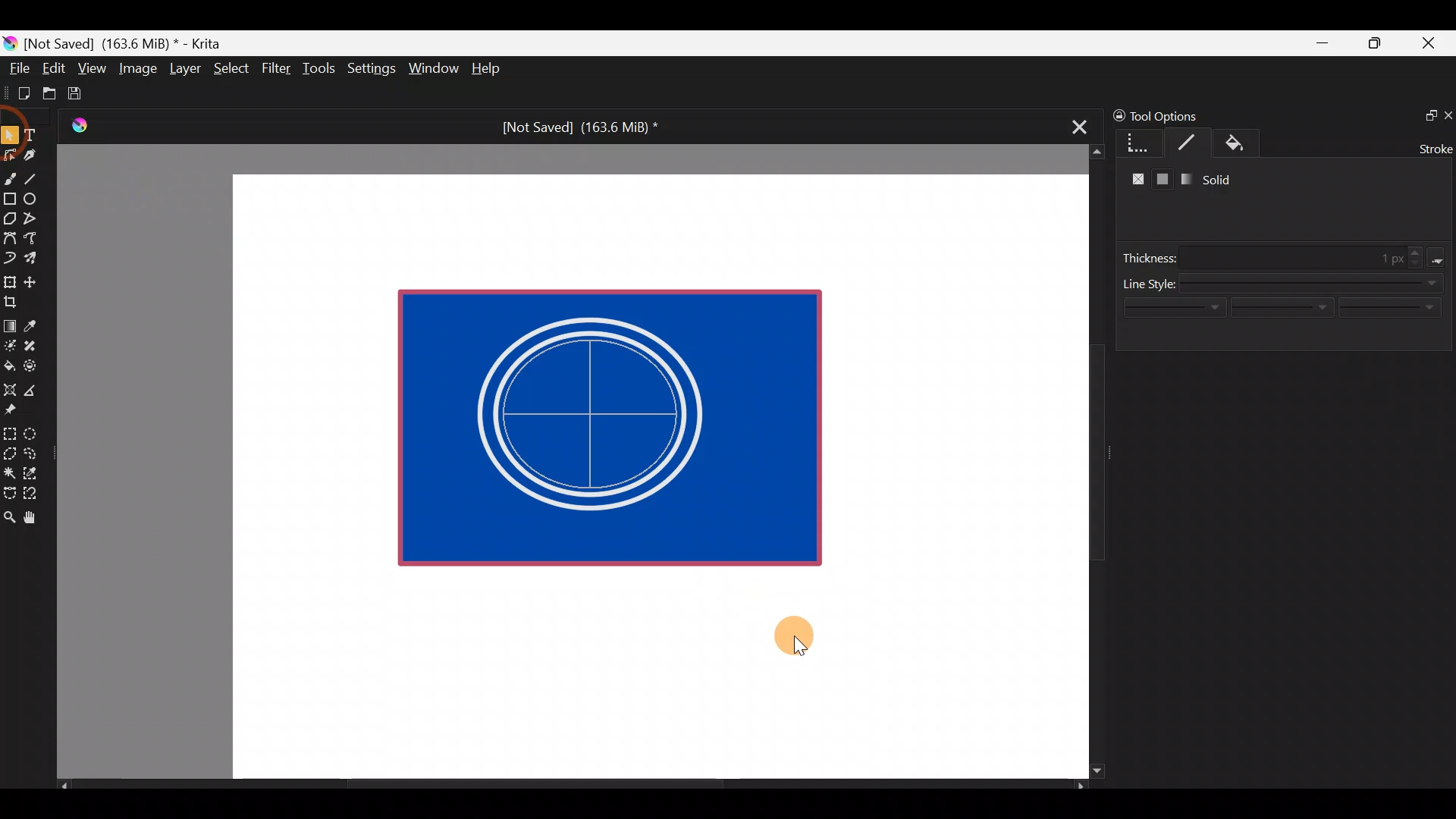 This screenshot has height=819, width=1456. Describe the element at coordinates (38, 134) in the screenshot. I see `Text tool` at that location.